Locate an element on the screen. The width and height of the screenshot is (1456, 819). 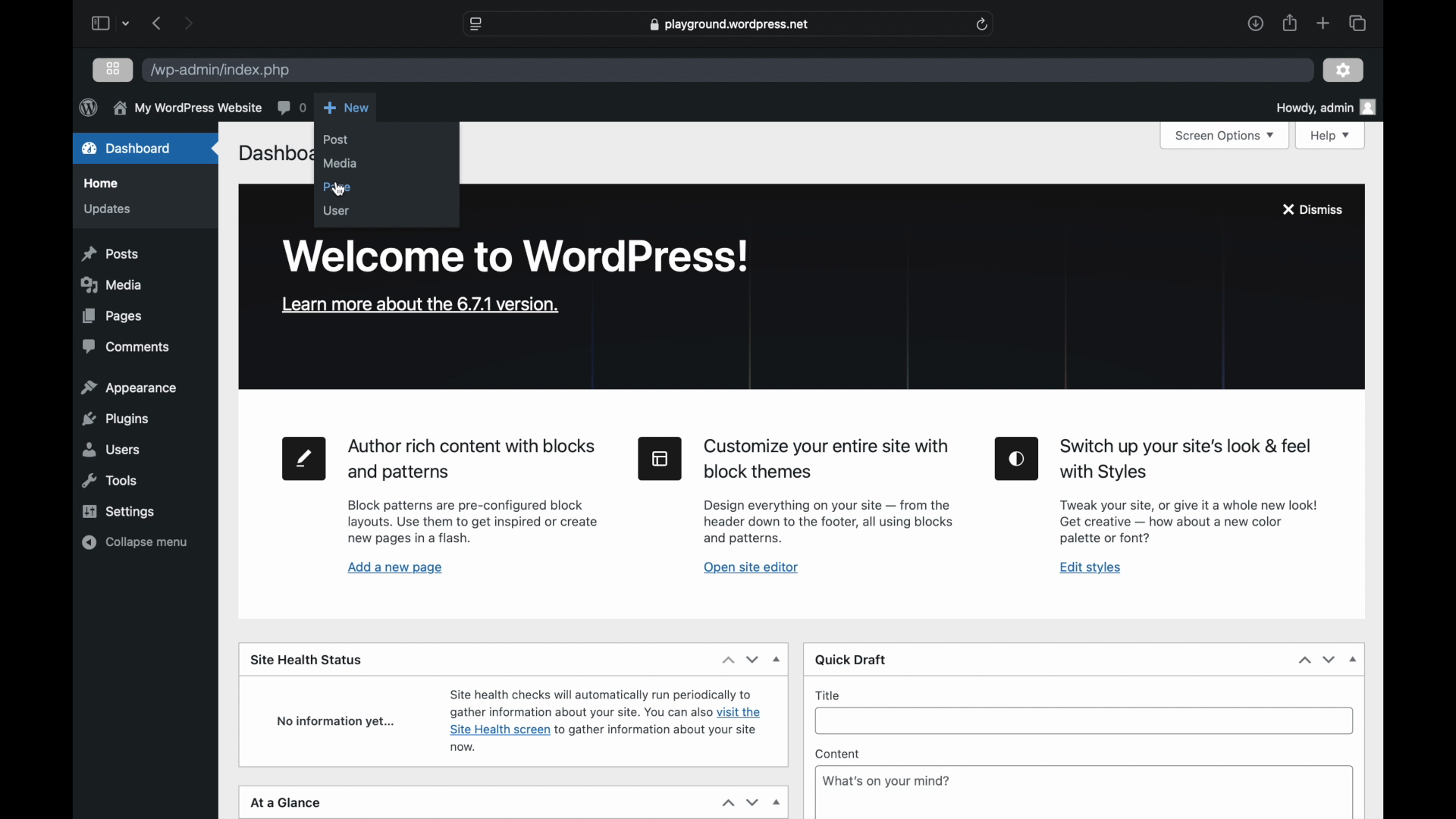
previous page is located at coordinates (158, 24).